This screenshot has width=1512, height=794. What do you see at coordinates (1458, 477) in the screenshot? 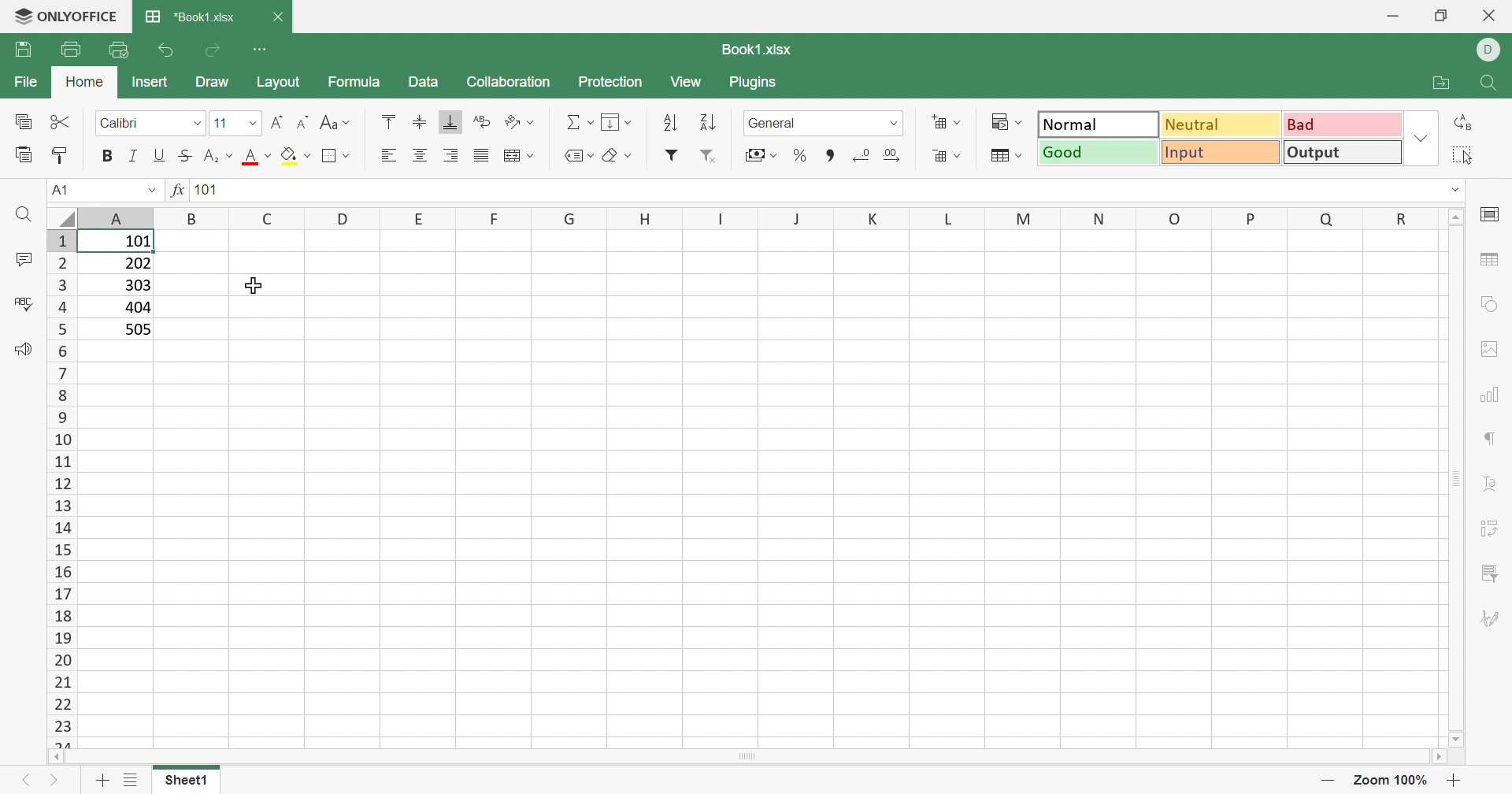
I see `Scroll Bar settings` at bounding box center [1458, 477].